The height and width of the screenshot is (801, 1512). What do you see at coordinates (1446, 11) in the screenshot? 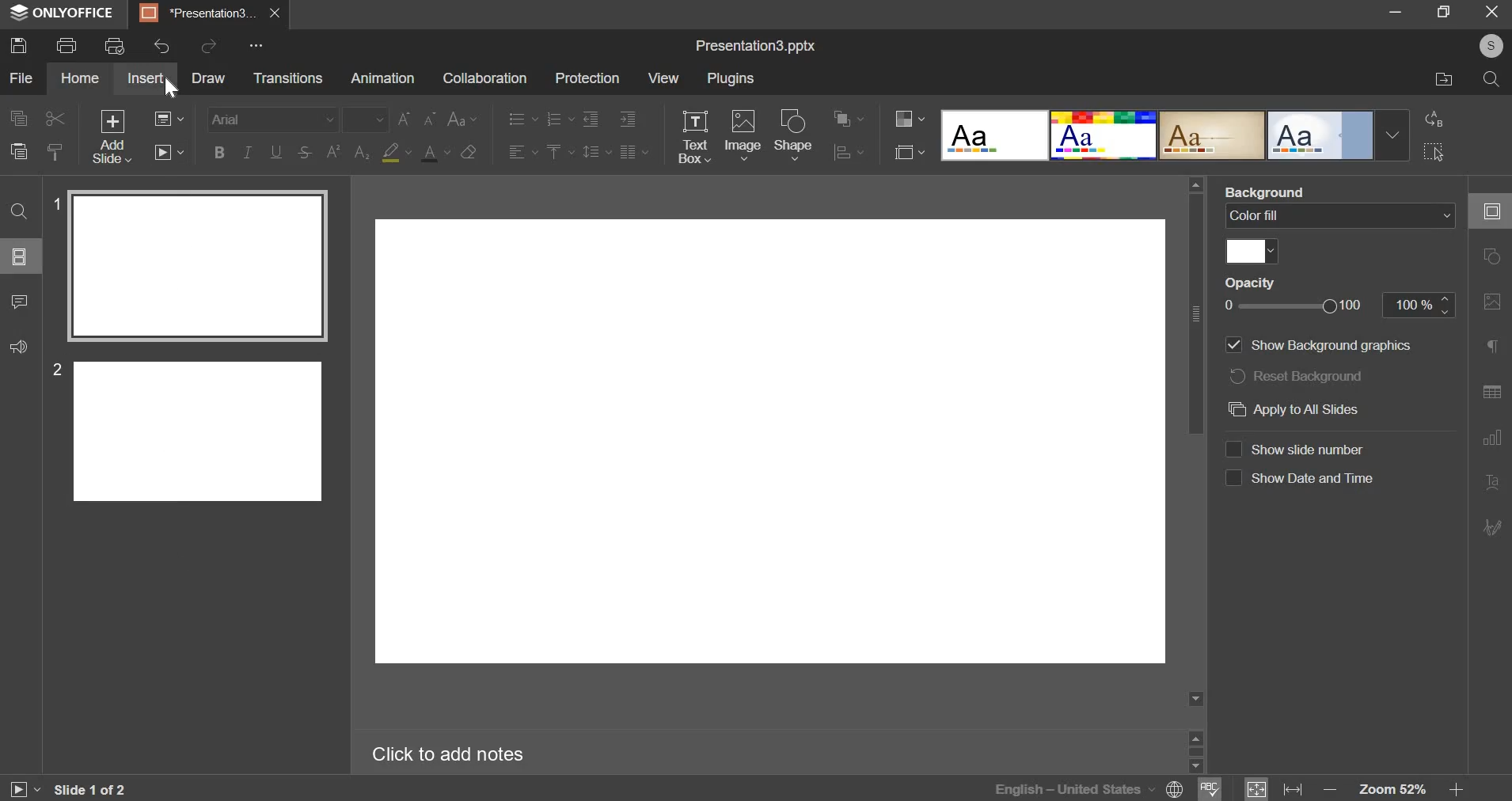
I see `maximize` at bounding box center [1446, 11].